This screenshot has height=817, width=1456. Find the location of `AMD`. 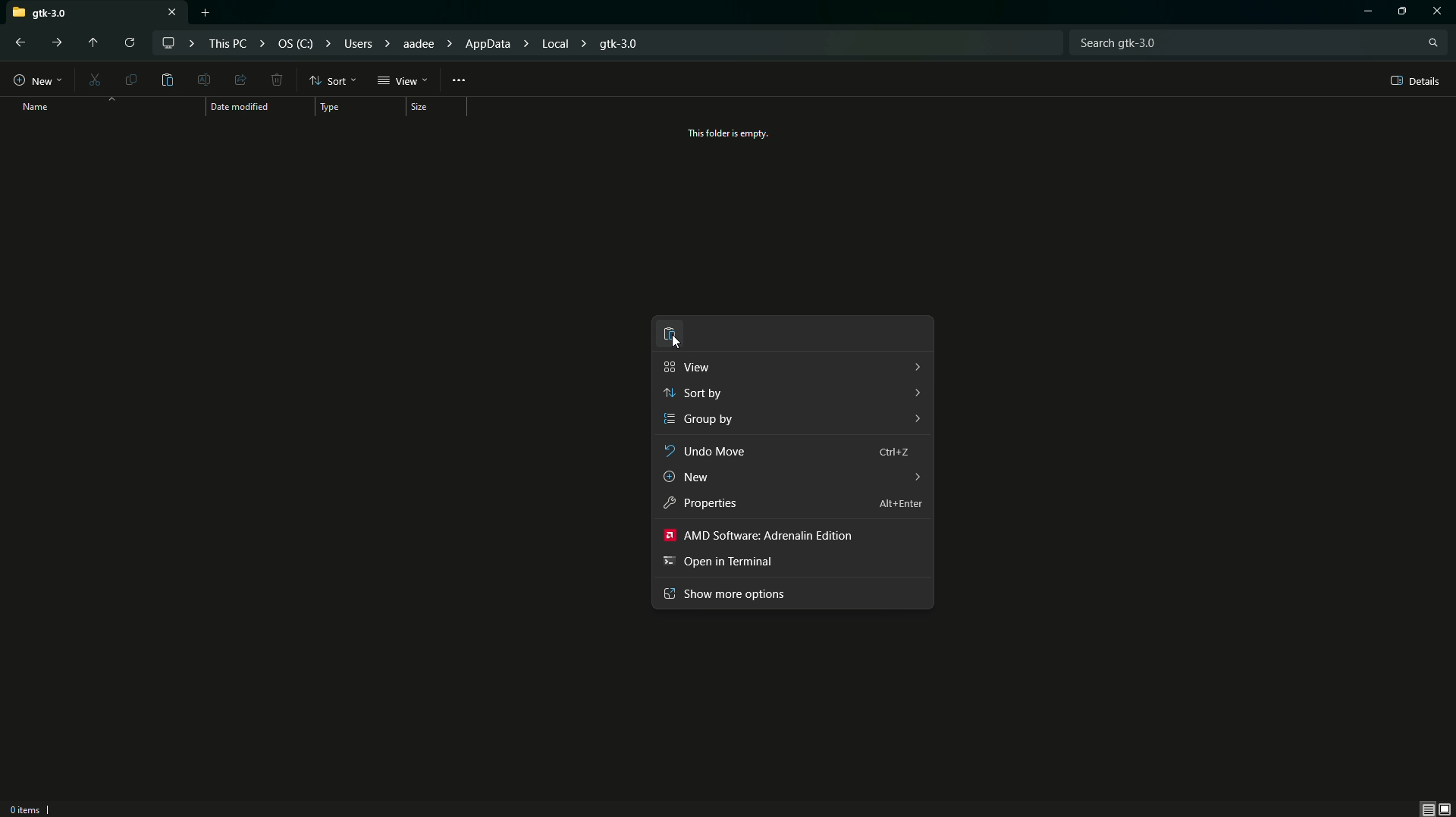

AMD is located at coordinates (764, 535).